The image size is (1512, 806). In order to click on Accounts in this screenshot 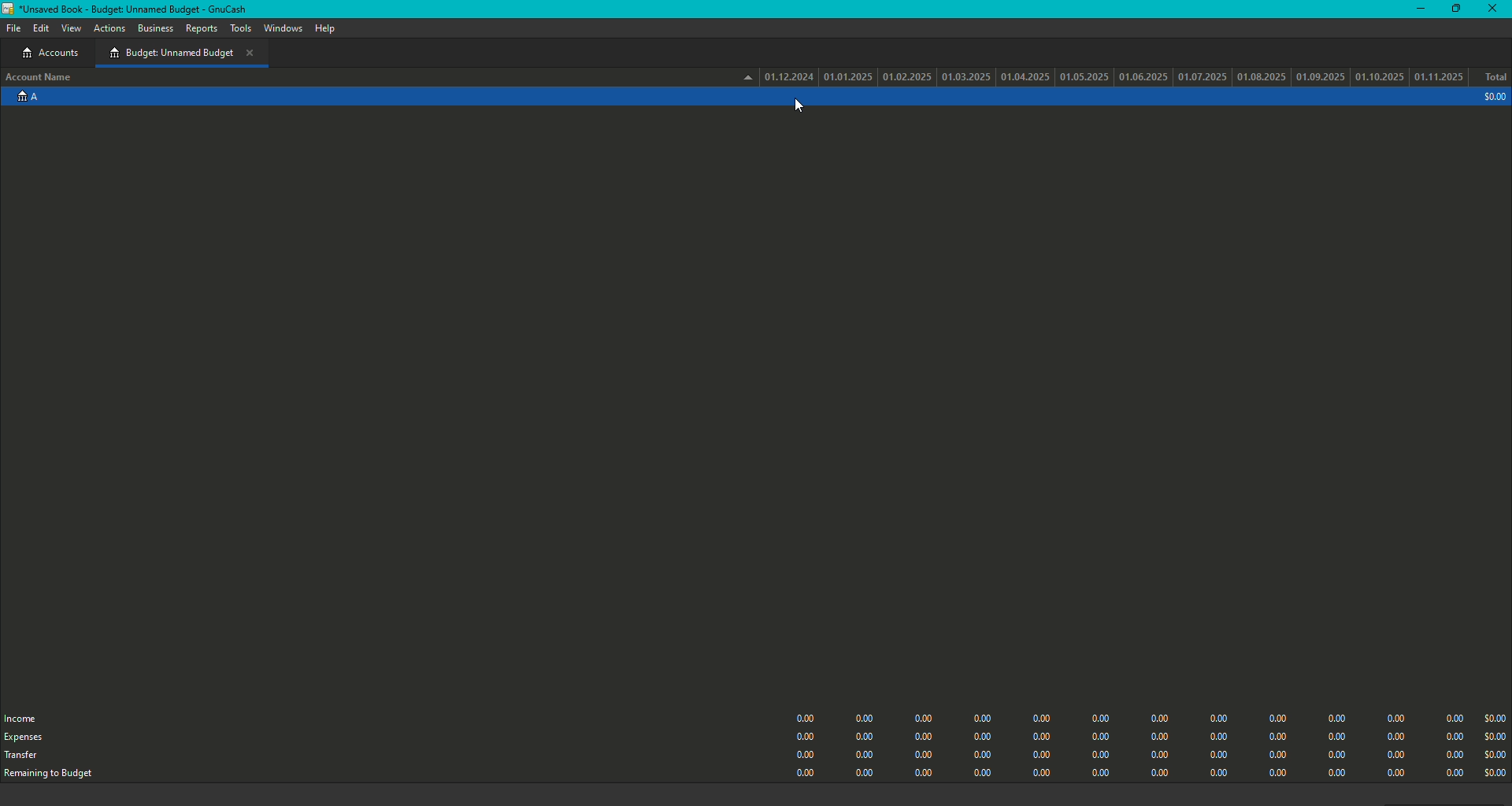, I will do `click(54, 54)`.